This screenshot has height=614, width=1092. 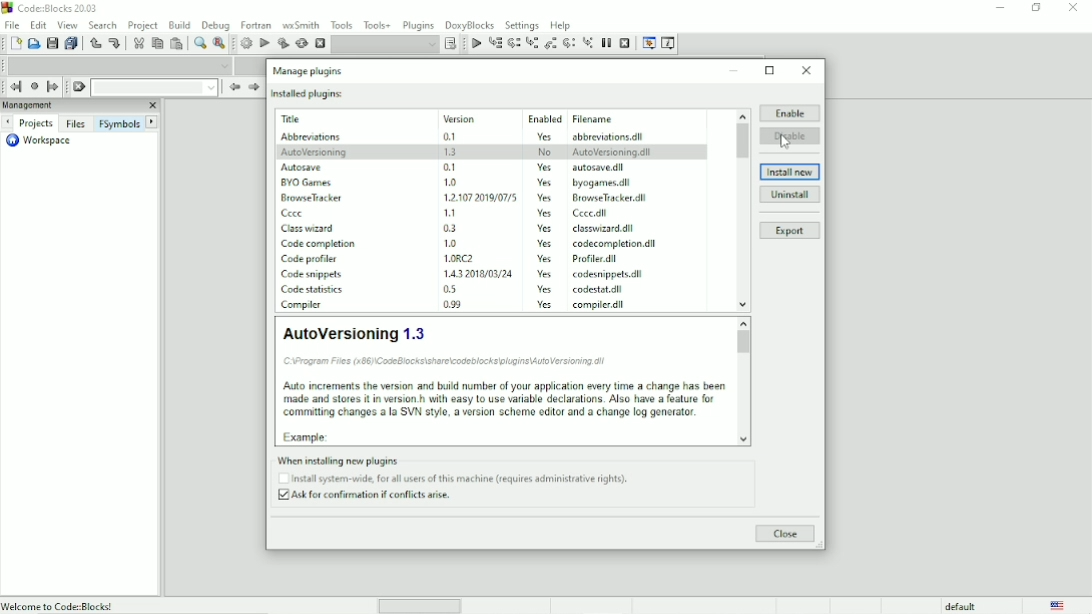 I want to click on byogames.dll, so click(x=603, y=182).